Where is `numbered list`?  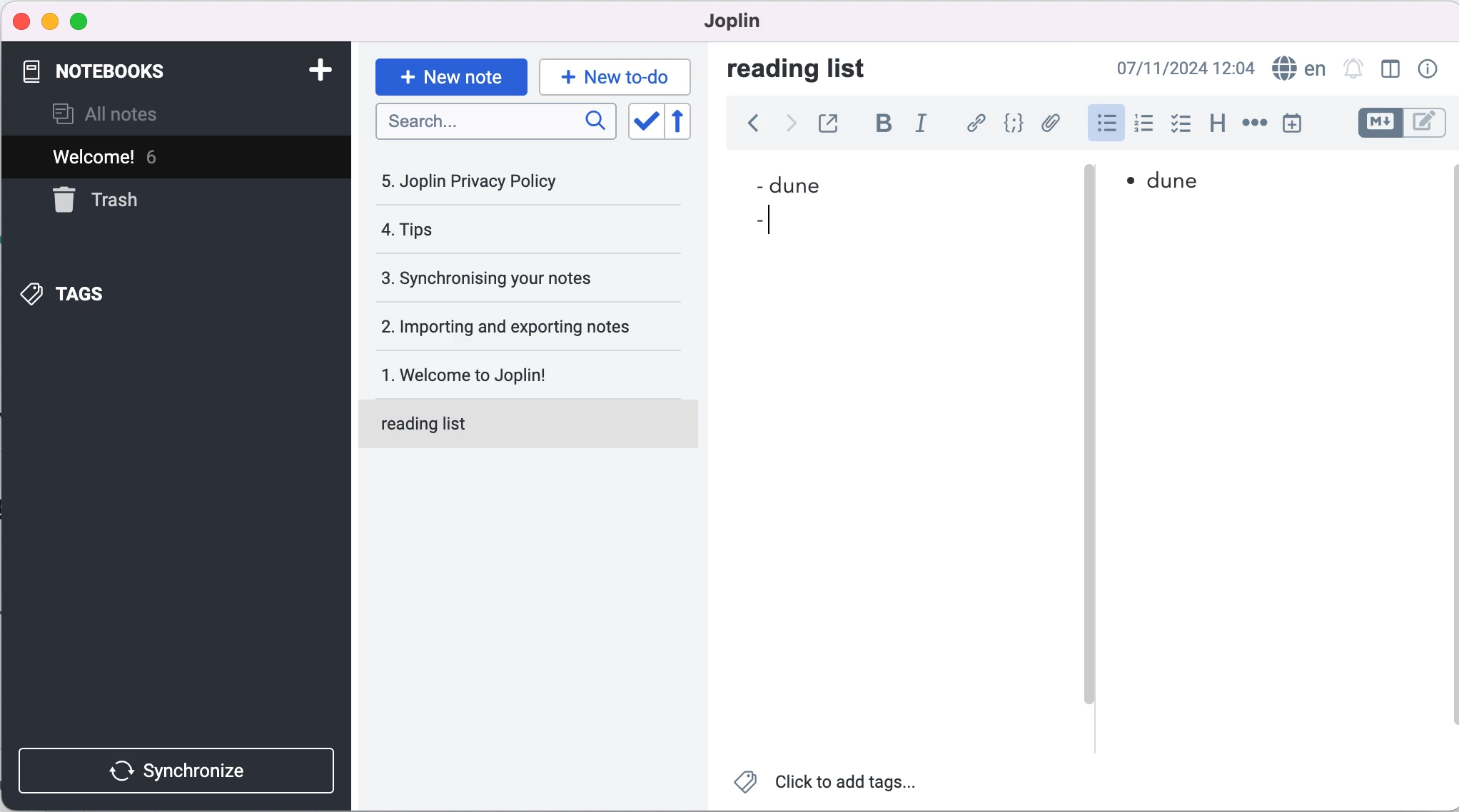
numbered list is located at coordinates (1144, 126).